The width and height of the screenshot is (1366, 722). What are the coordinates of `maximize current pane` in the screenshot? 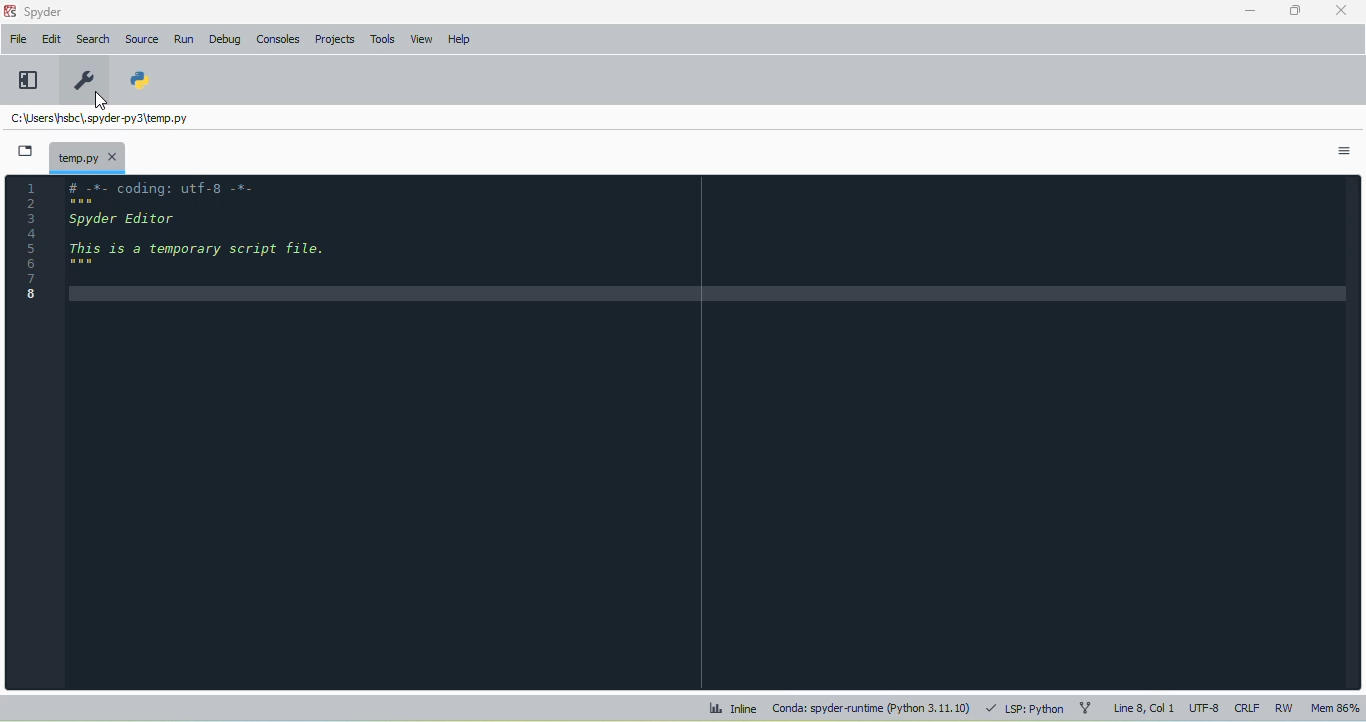 It's located at (29, 80).